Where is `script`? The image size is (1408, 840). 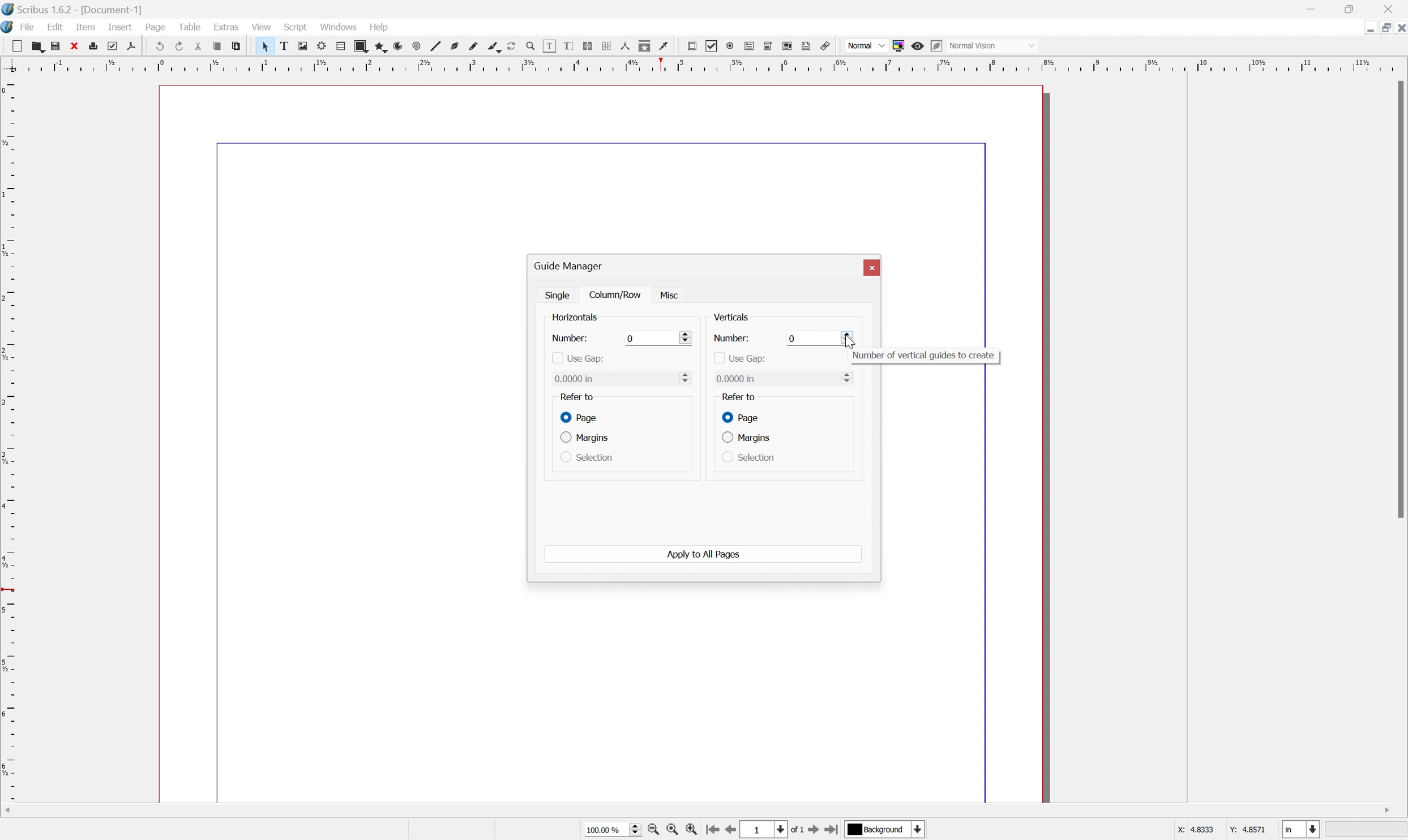 script is located at coordinates (296, 27).